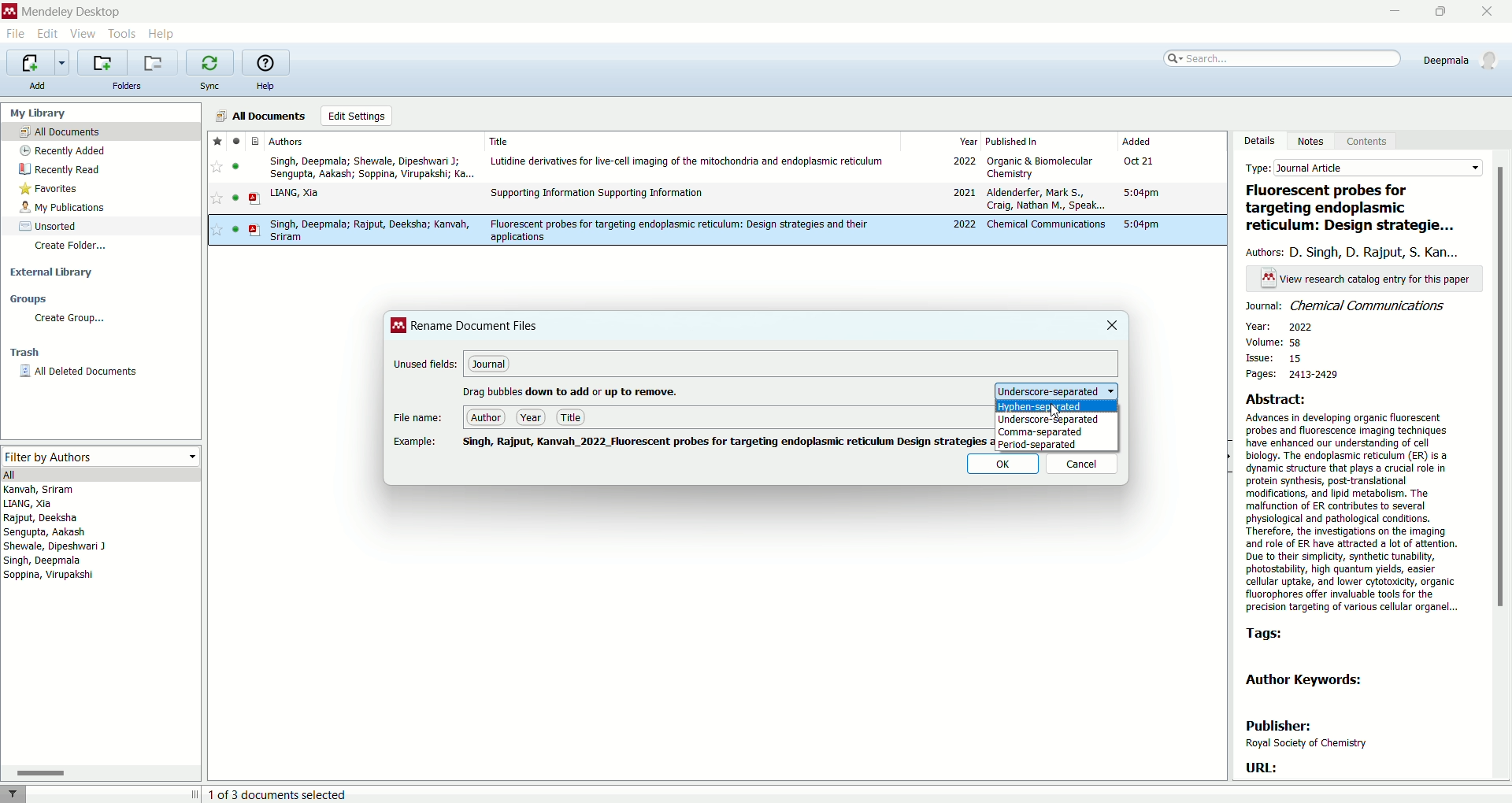  I want to click on author keywords, so click(1305, 681).